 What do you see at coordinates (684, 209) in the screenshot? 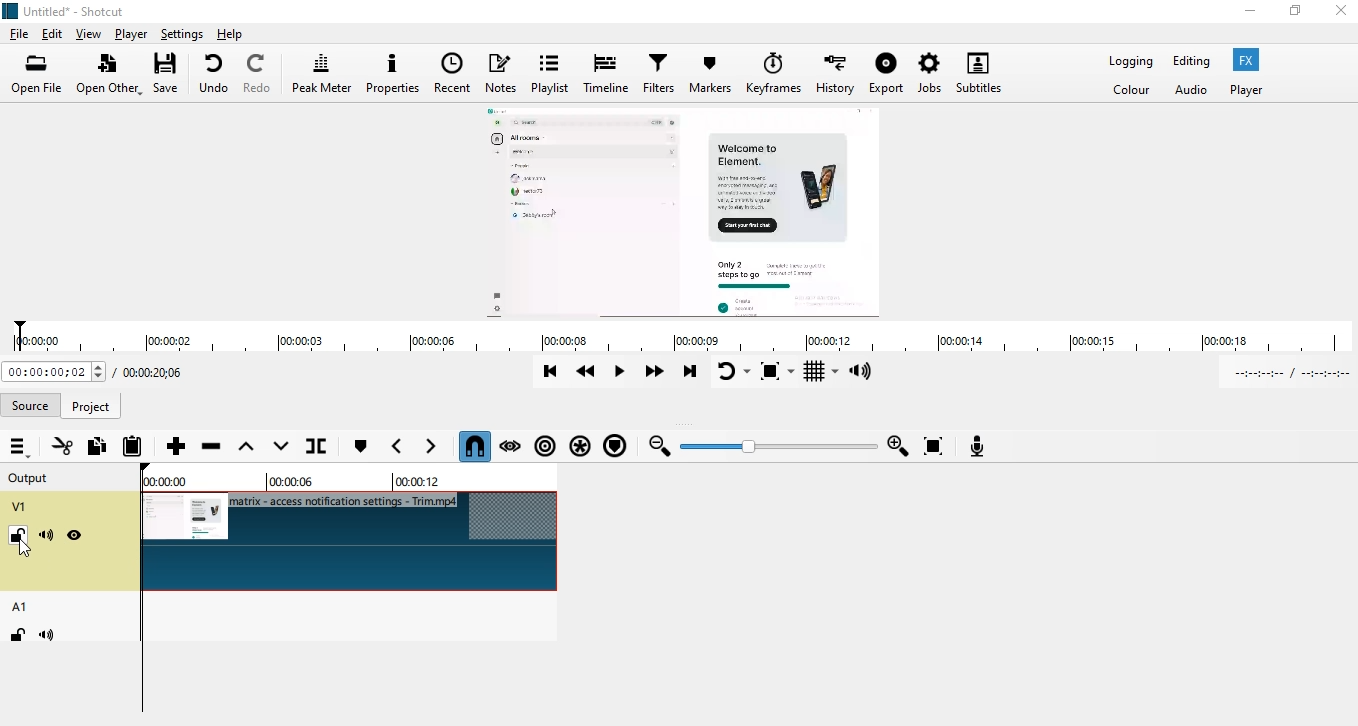
I see `media view` at bounding box center [684, 209].